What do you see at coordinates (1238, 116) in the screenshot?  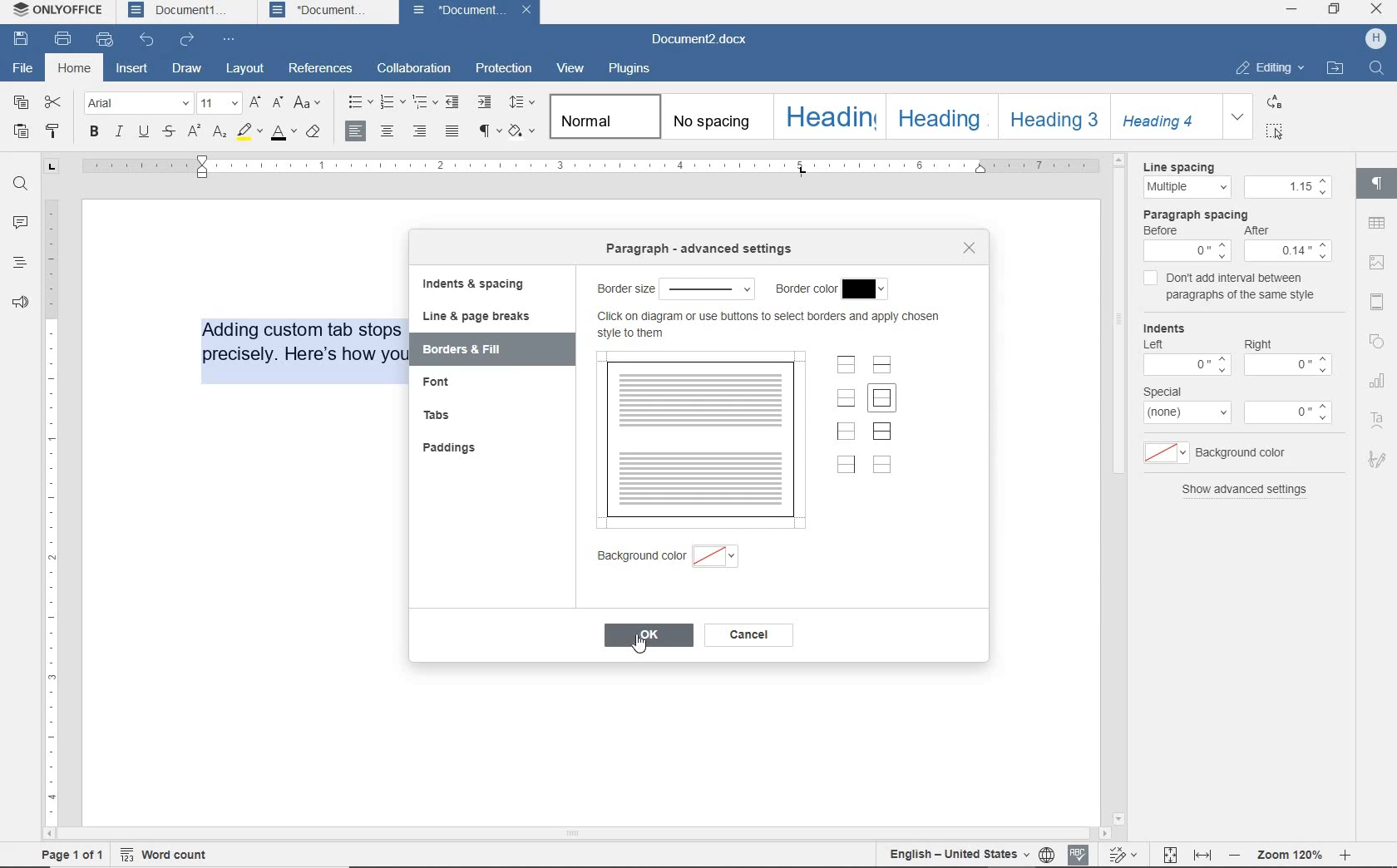 I see `expand` at bounding box center [1238, 116].